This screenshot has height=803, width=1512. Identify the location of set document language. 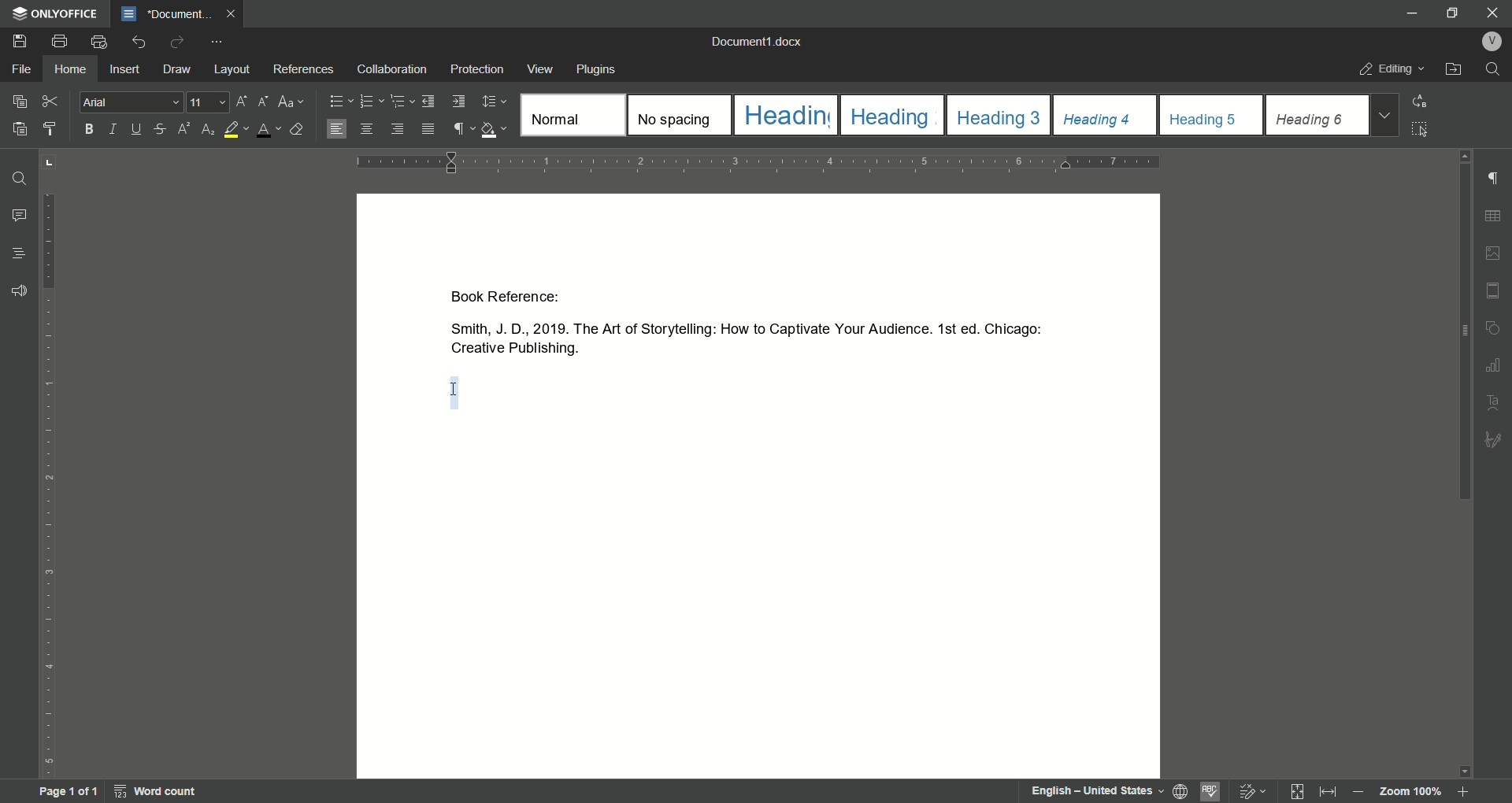
(1180, 790).